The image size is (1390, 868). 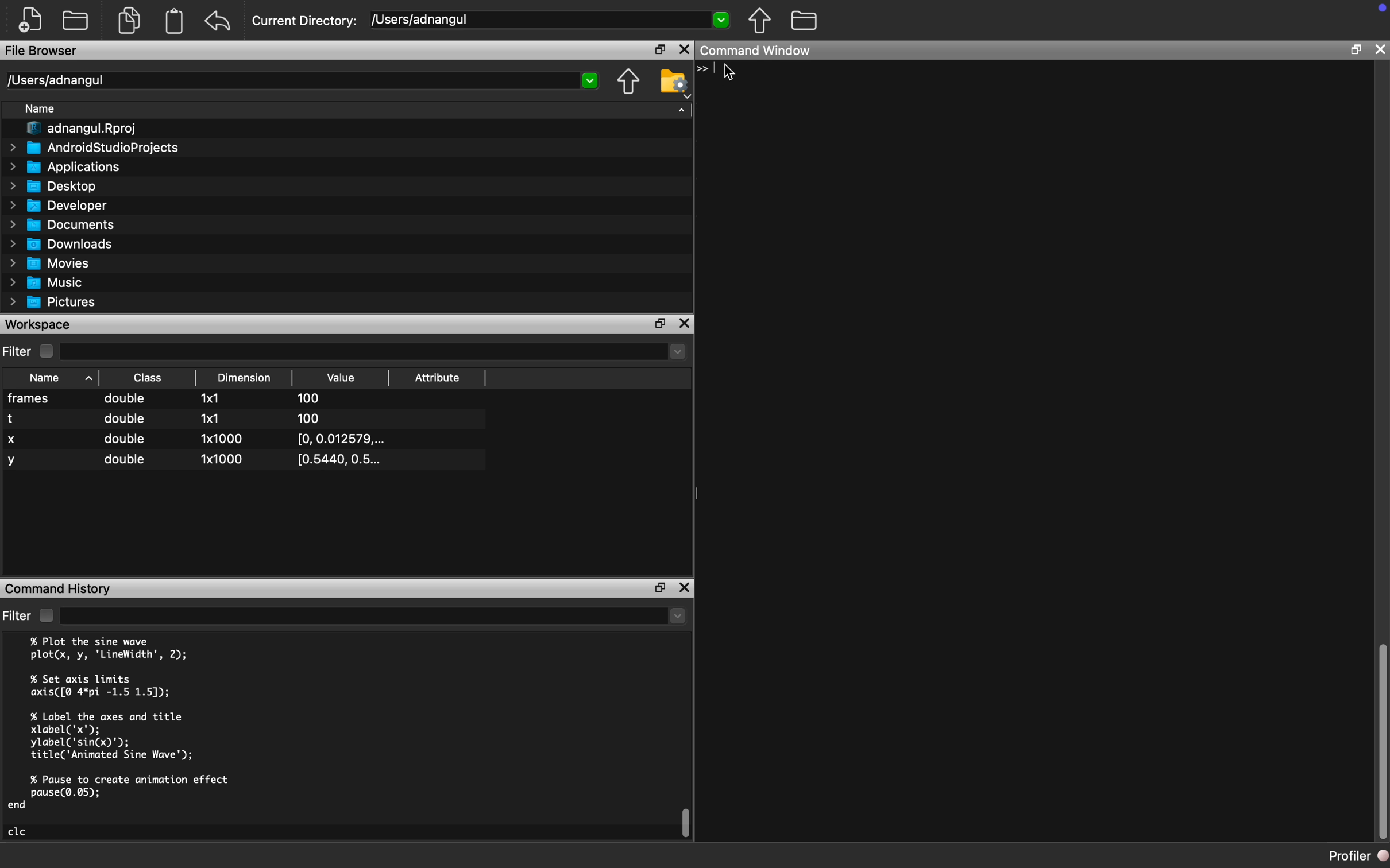 I want to click on Reset, so click(x=218, y=22).